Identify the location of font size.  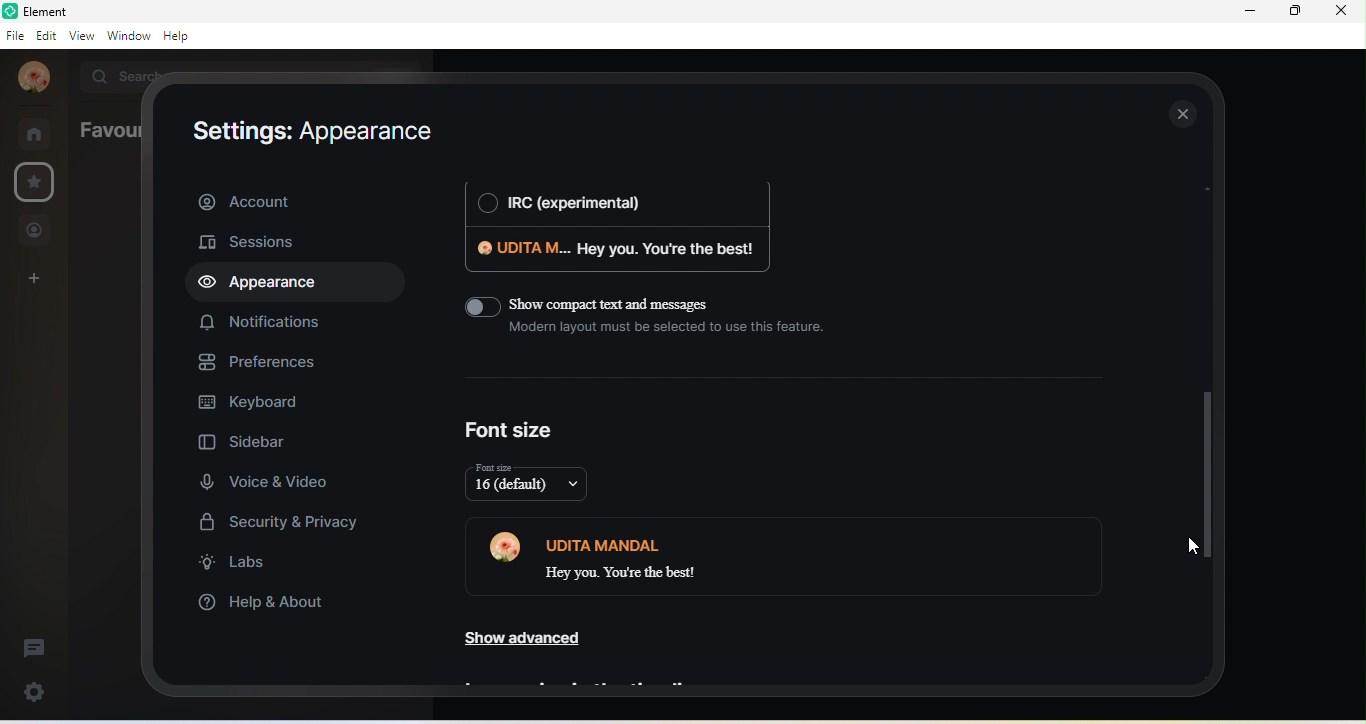
(511, 431).